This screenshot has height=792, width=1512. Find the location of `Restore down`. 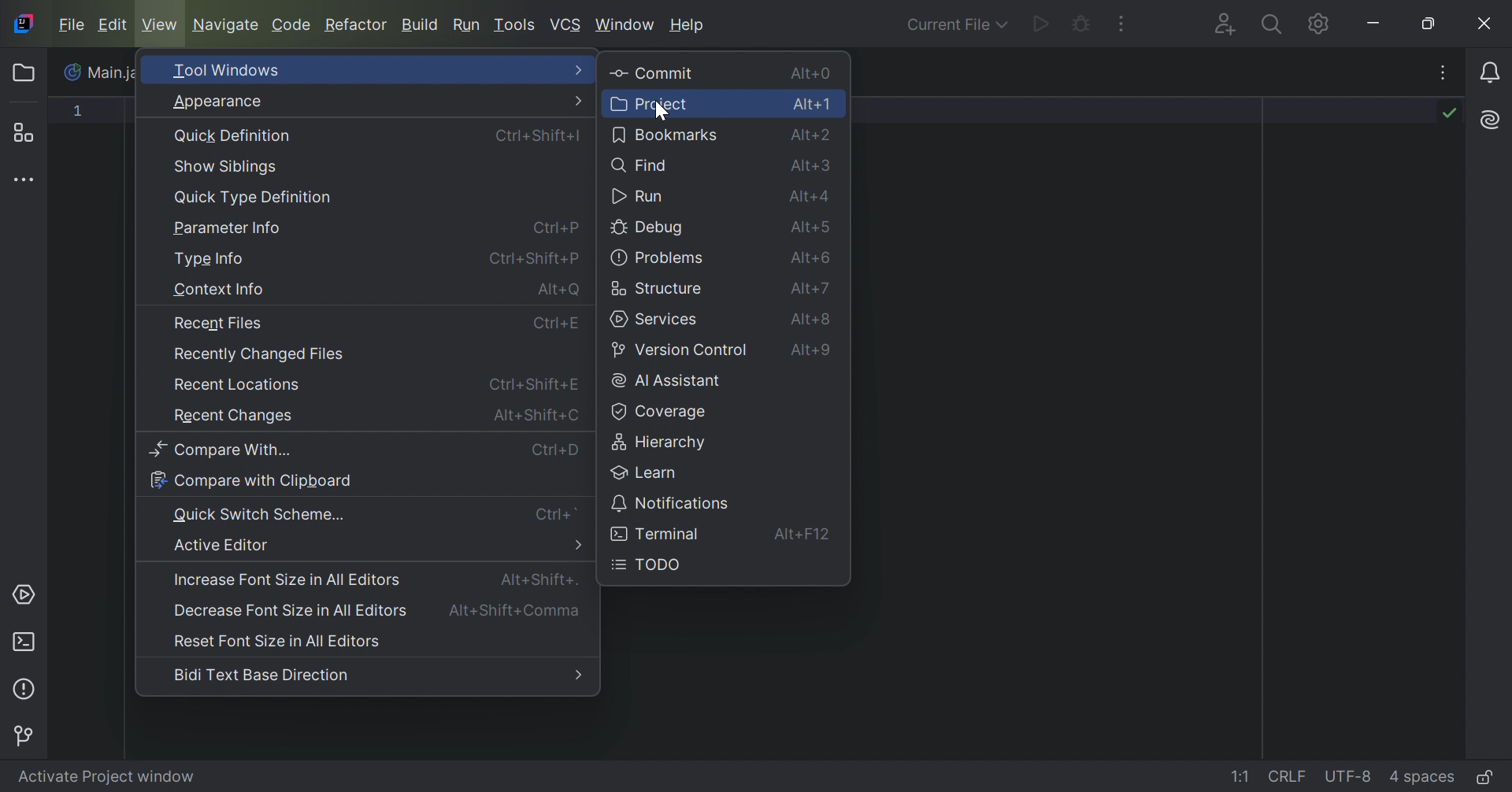

Restore down is located at coordinates (1434, 24).